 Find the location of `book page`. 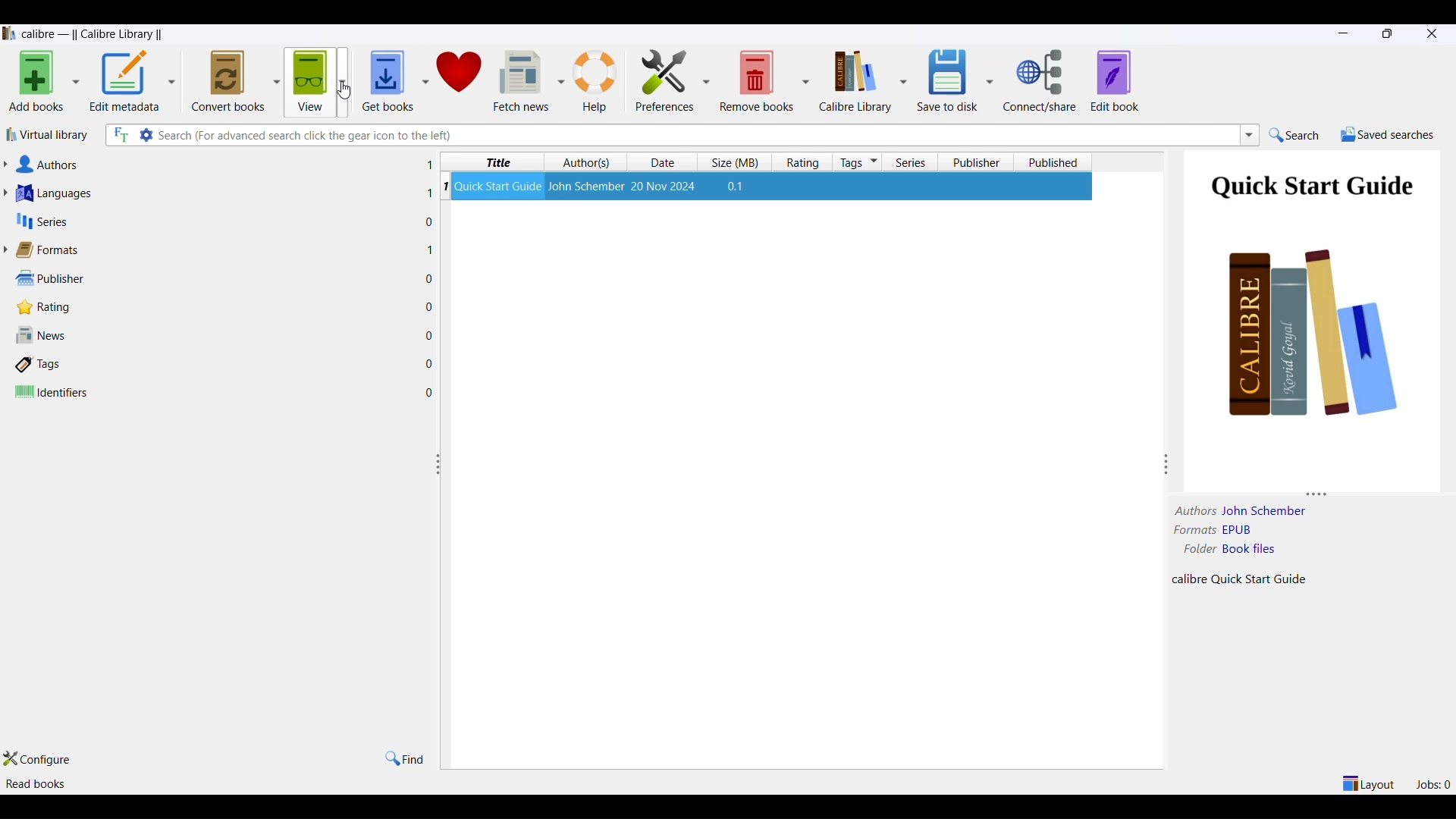

book page is located at coordinates (1313, 296).